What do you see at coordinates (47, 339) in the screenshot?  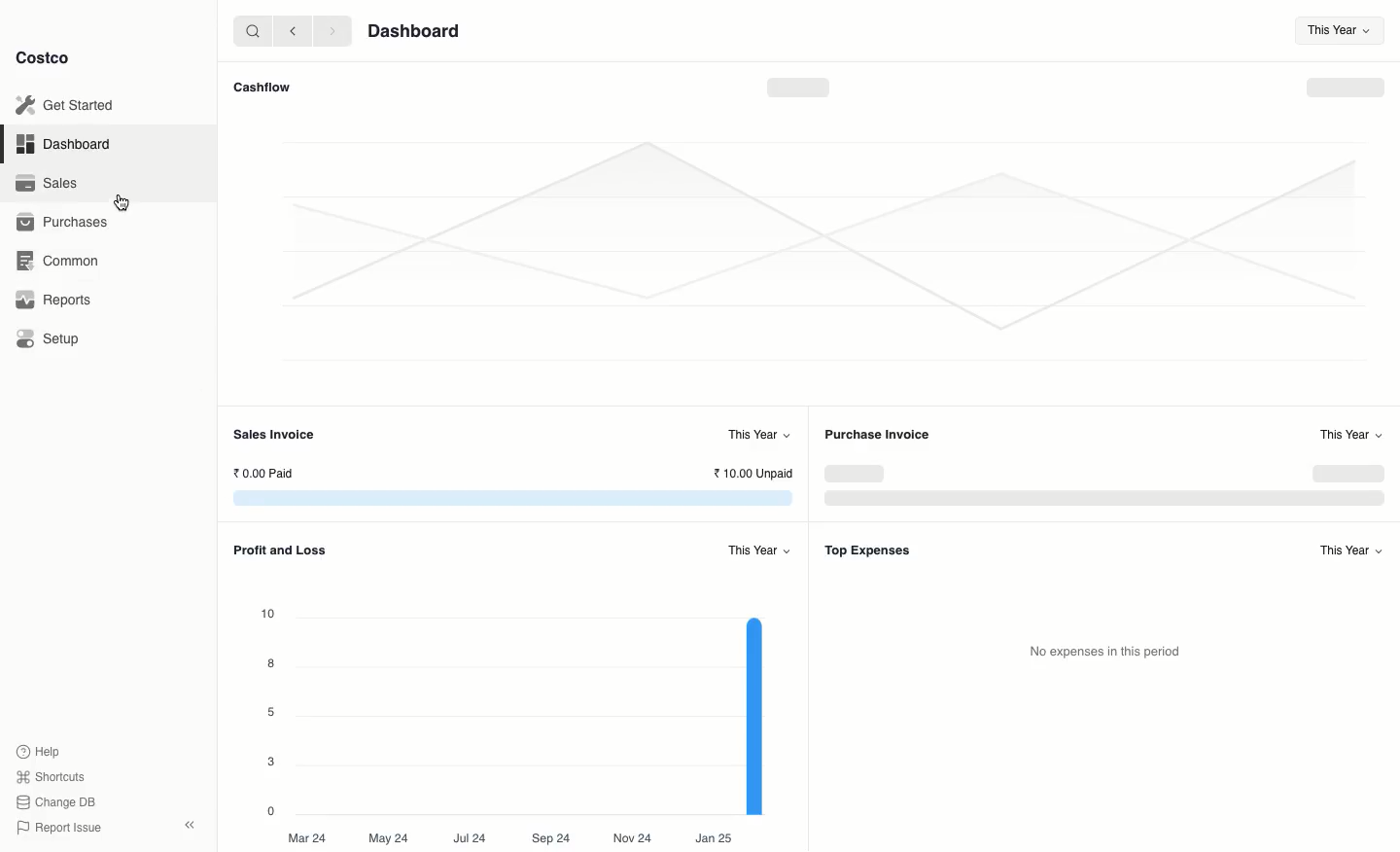 I see `Setup` at bounding box center [47, 339].